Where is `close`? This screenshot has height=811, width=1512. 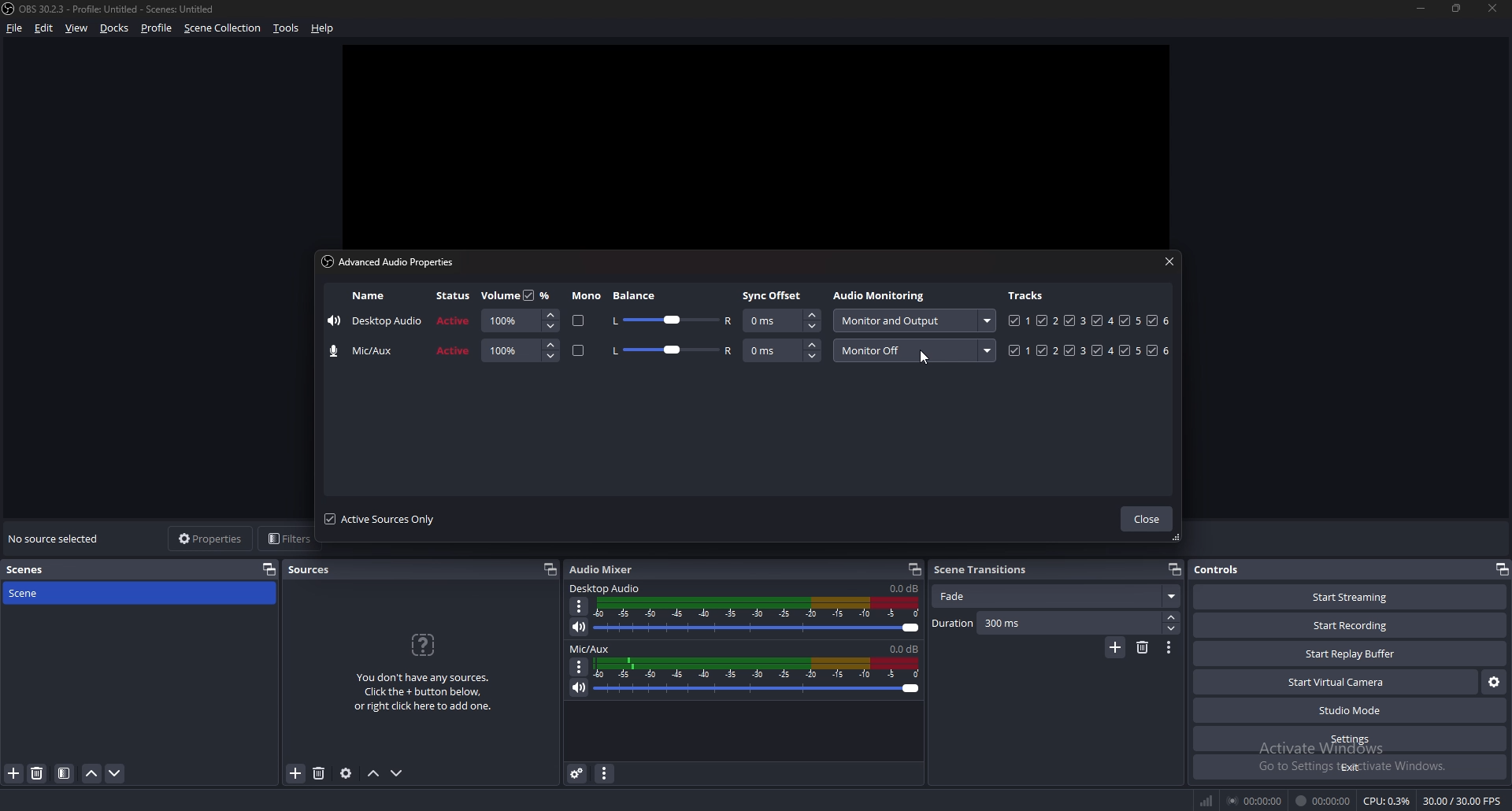 close is located at coordinates (1169, 263).